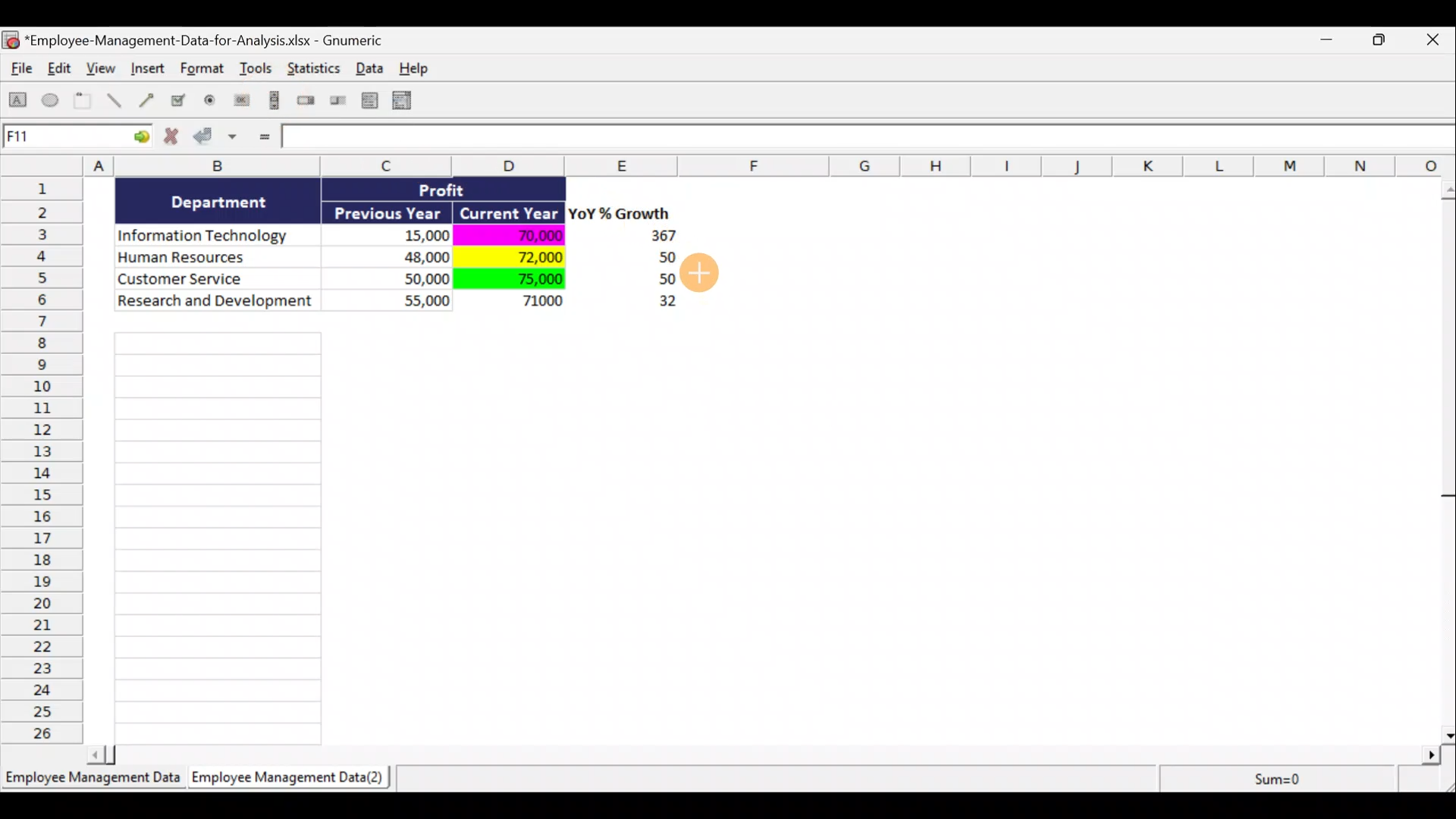 Image resolution: width=1456 pixels, height=819 pixels. Describe the element at coordinates (51, 101) in the screenshot. I see `Create an ellipse object` at that location.